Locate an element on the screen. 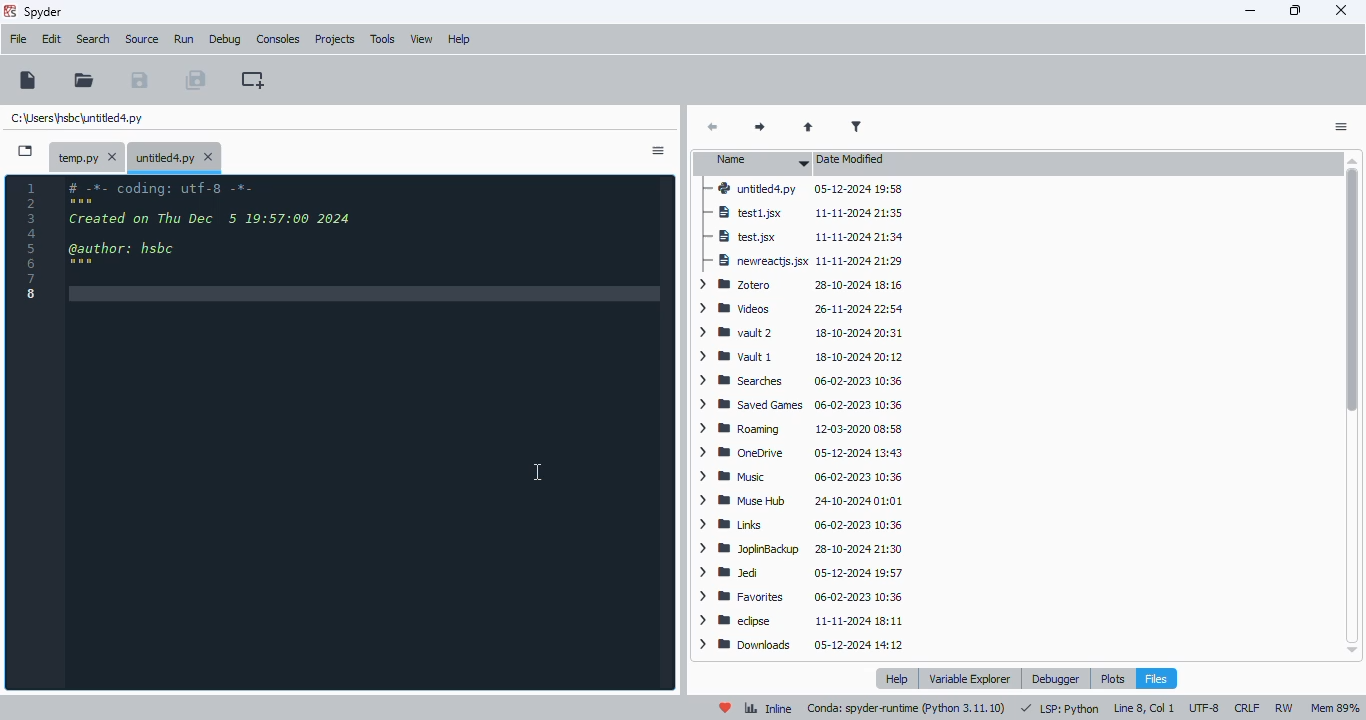 Image resolution: width=1366 pixels, height=720 pixels. date modified is located at coordinates (853, 160).